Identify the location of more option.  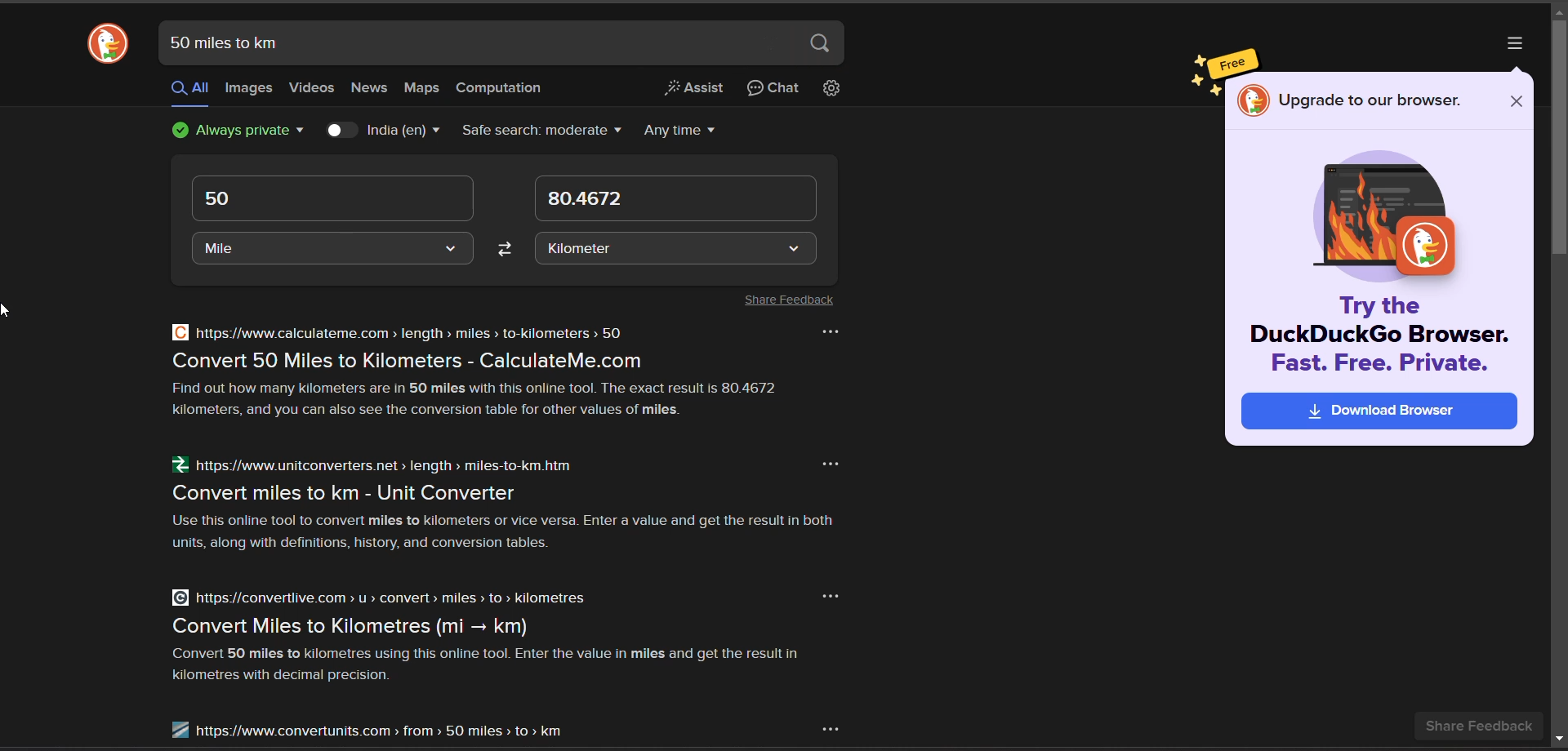
(831, 461).